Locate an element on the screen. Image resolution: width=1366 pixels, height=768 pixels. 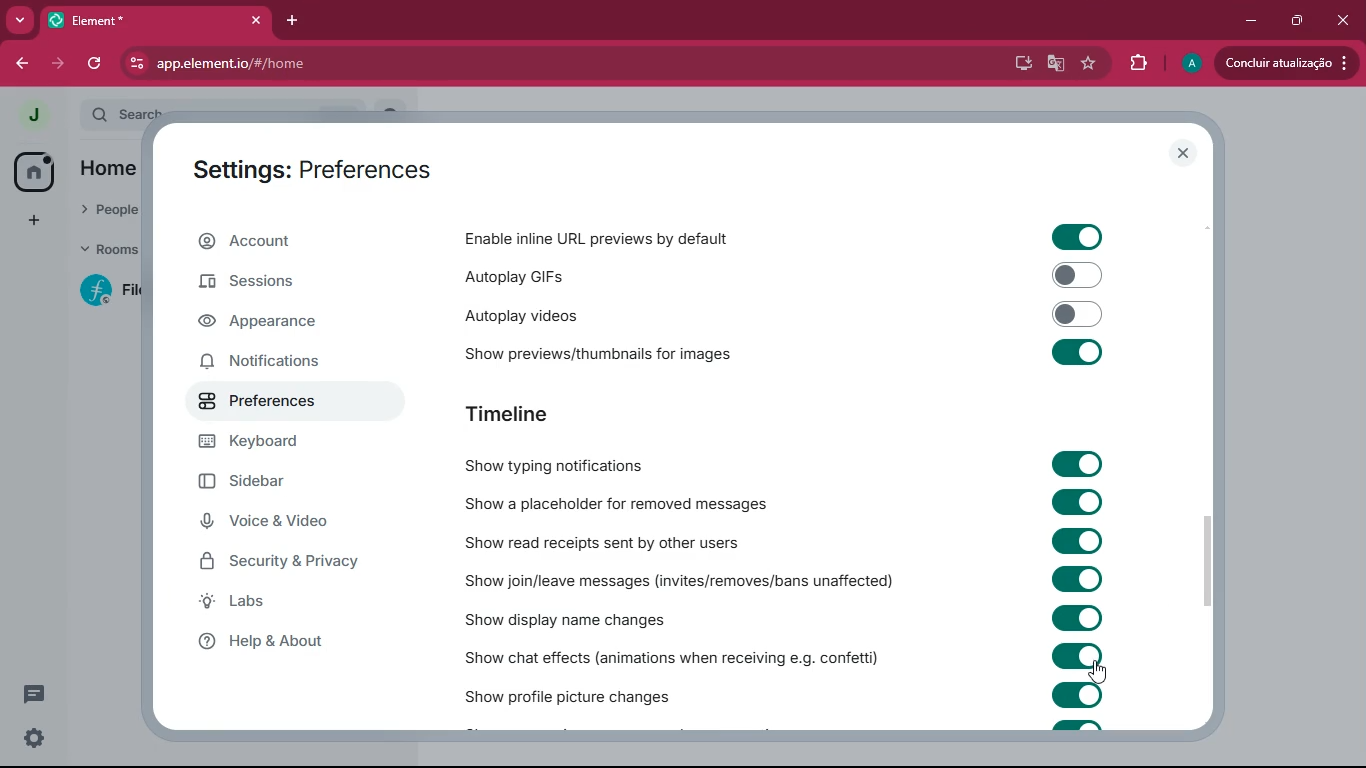
account is located at coordinates (288, 242).